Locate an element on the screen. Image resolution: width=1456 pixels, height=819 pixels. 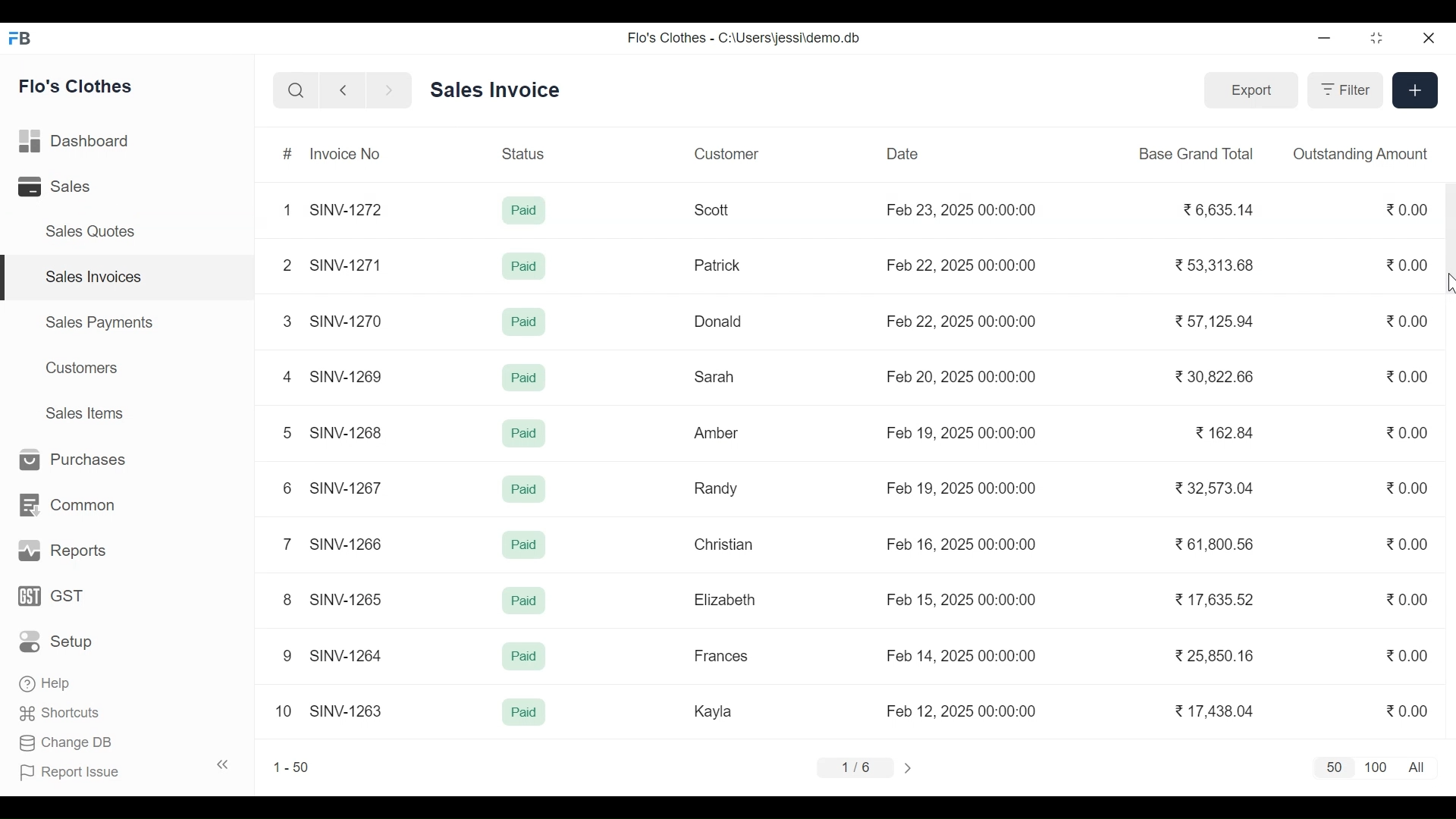
0.00 is located at coordinates (1408, 376).